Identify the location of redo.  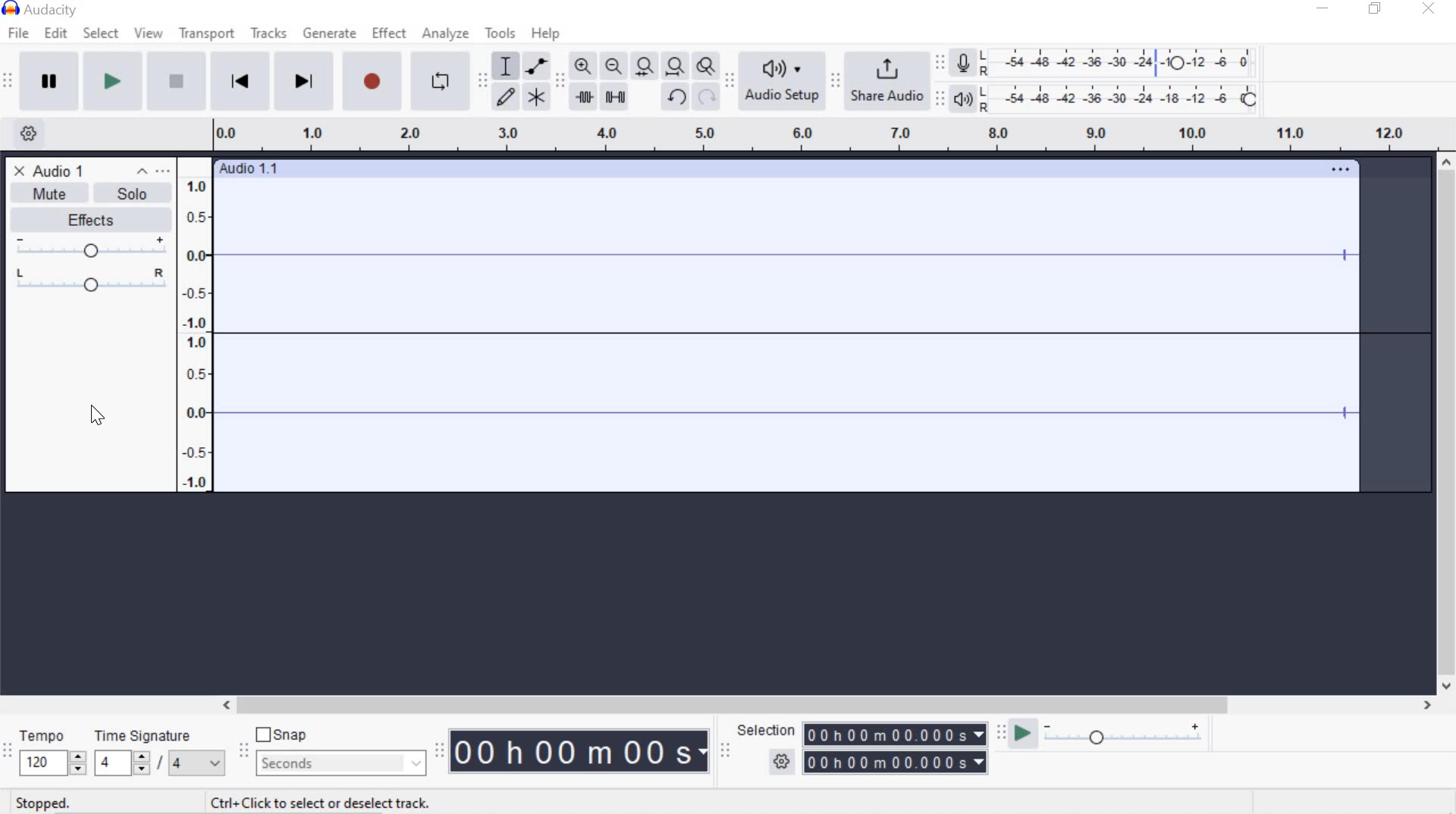
(707, 98).